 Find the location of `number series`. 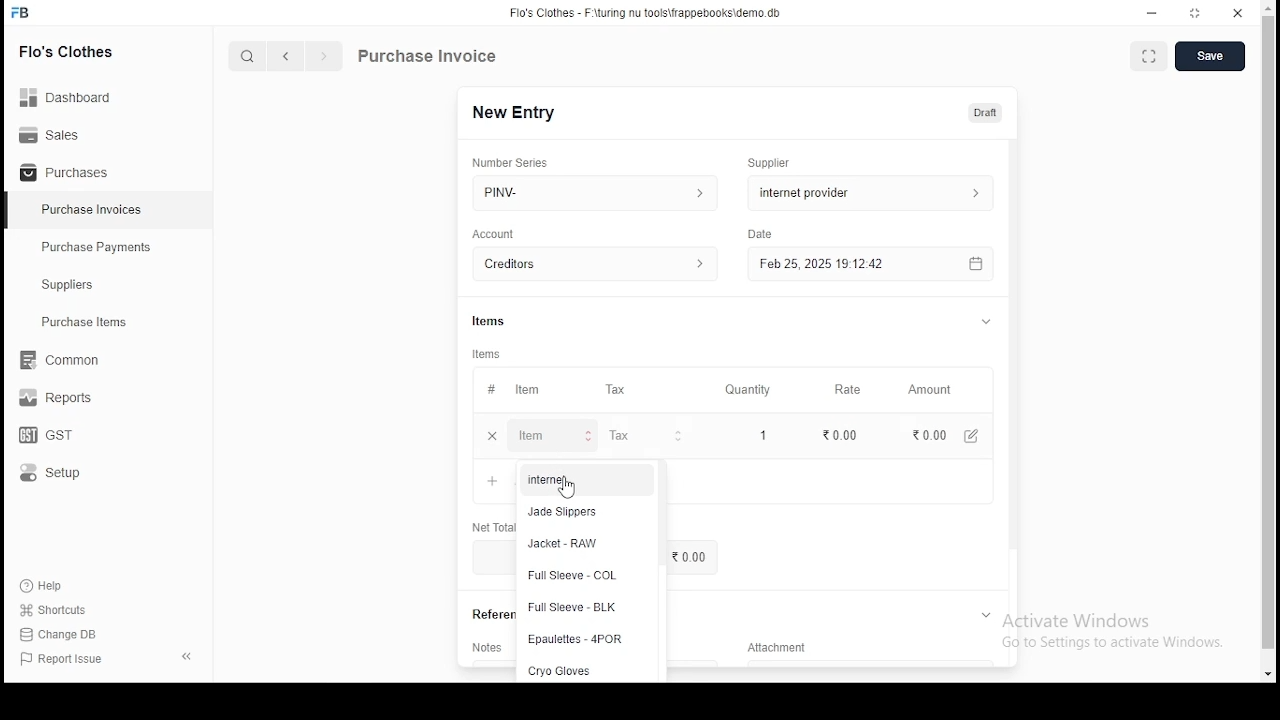

number series is located at coordinates (519, 162).